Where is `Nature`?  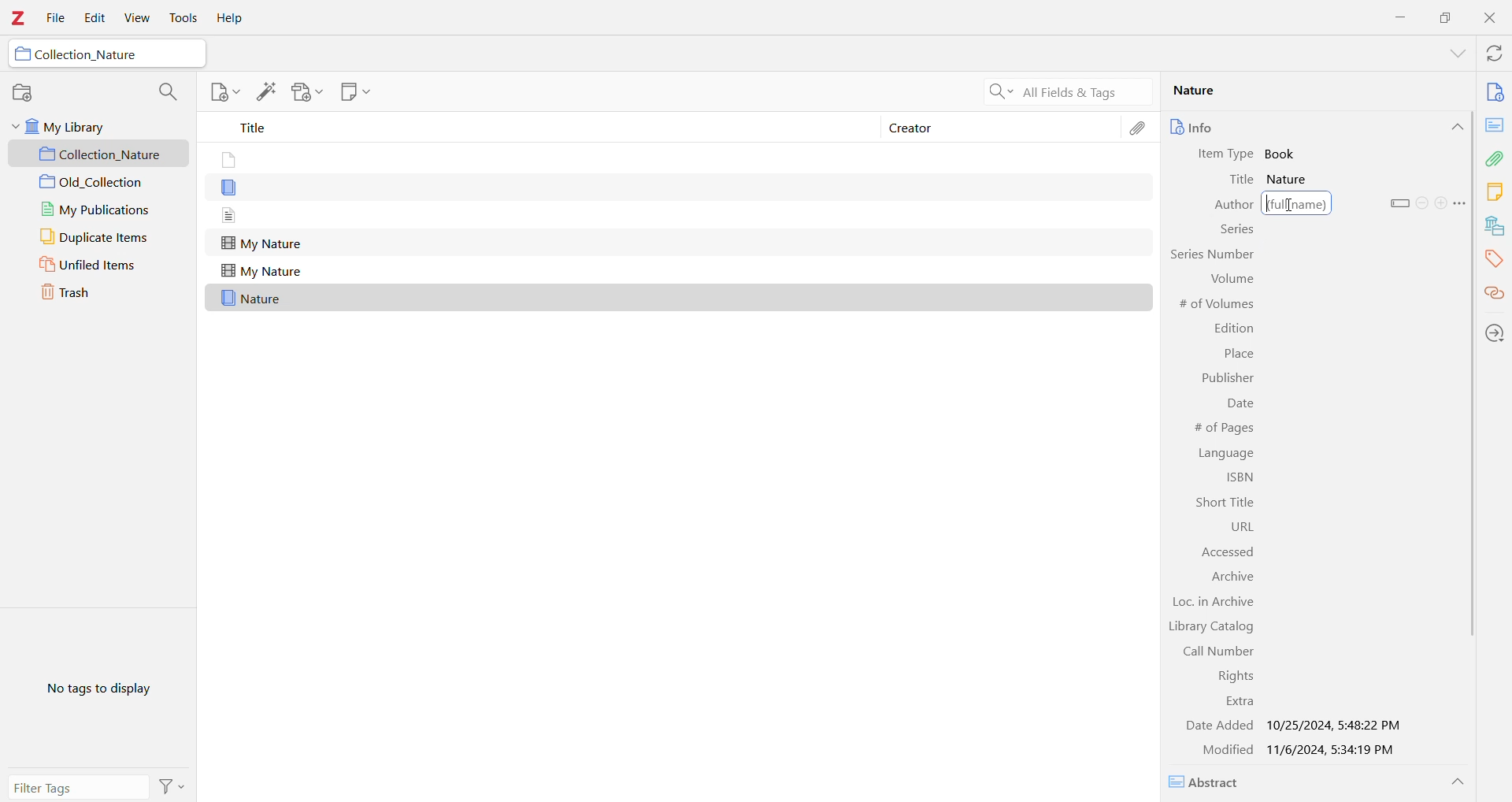 Nature is located at coordinates (1308, 91).